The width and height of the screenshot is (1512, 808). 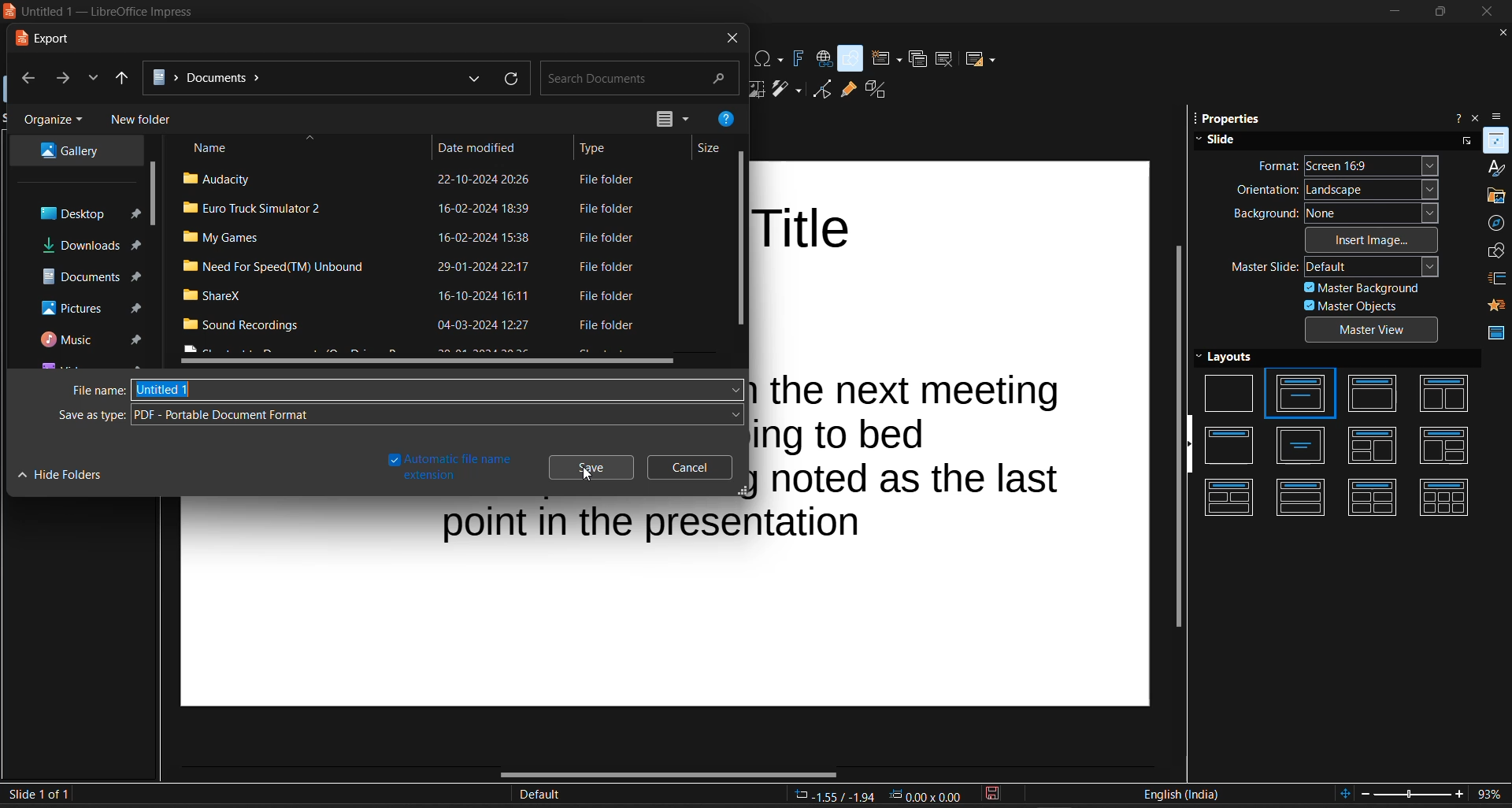 What do you see at coordinates (1339, 191) in the screenshot?
I see `orientation` at bounding box center [1339, 191].